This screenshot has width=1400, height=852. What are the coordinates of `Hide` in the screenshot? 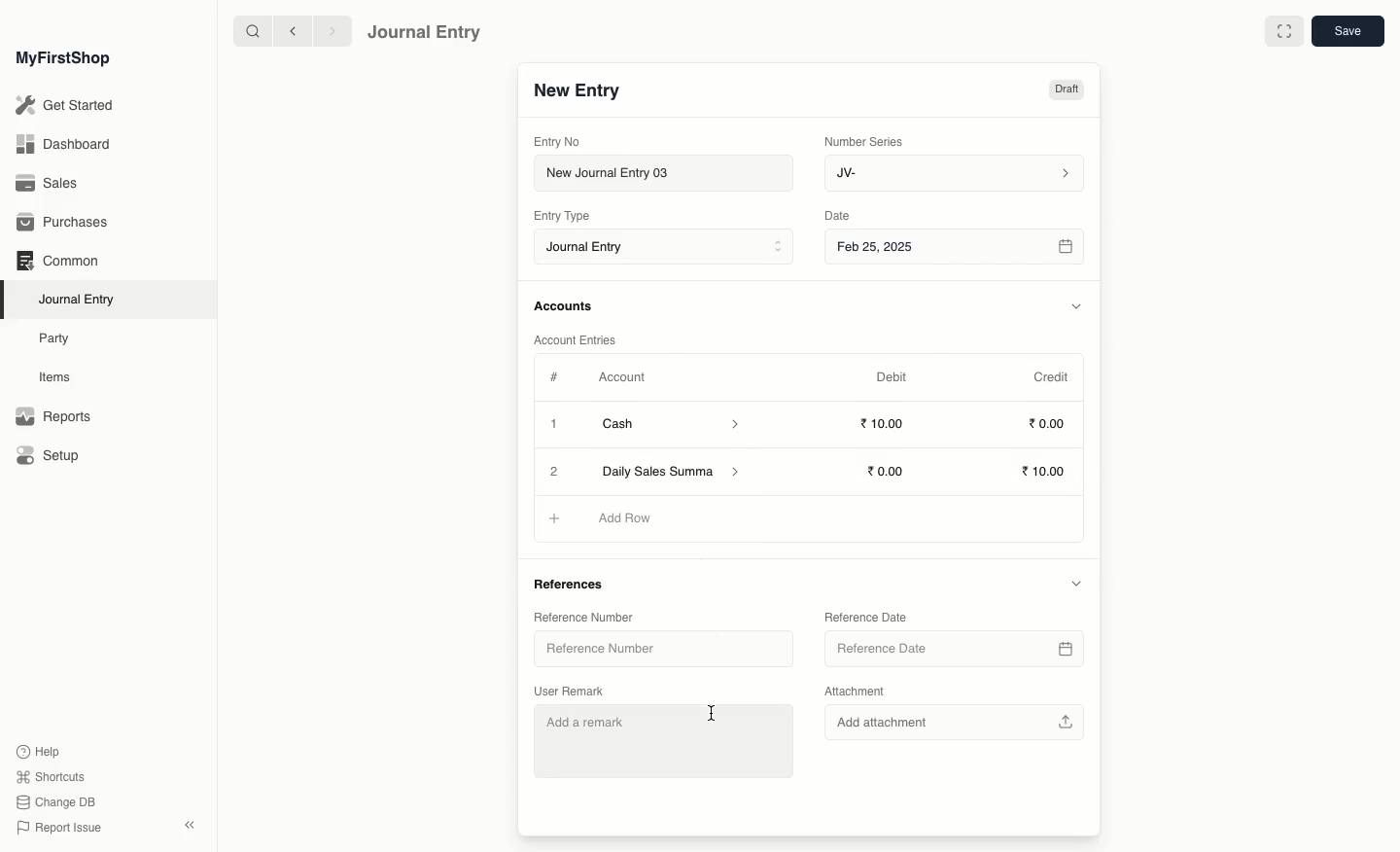 It's located at (1077, 306).